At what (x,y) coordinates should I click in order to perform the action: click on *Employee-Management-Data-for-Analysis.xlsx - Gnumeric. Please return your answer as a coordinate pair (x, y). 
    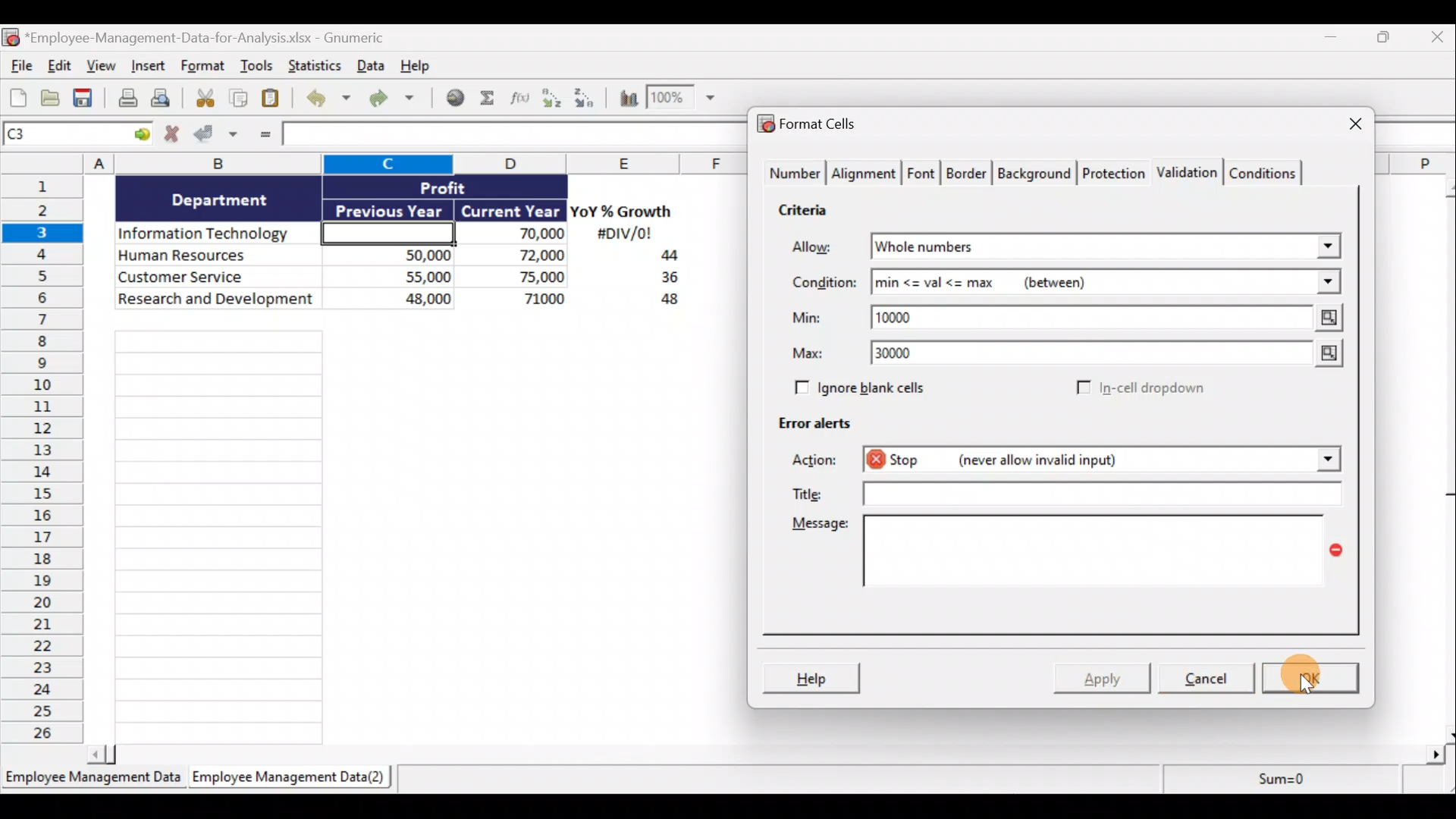
    Looking at the image, I should click on (222, 36).